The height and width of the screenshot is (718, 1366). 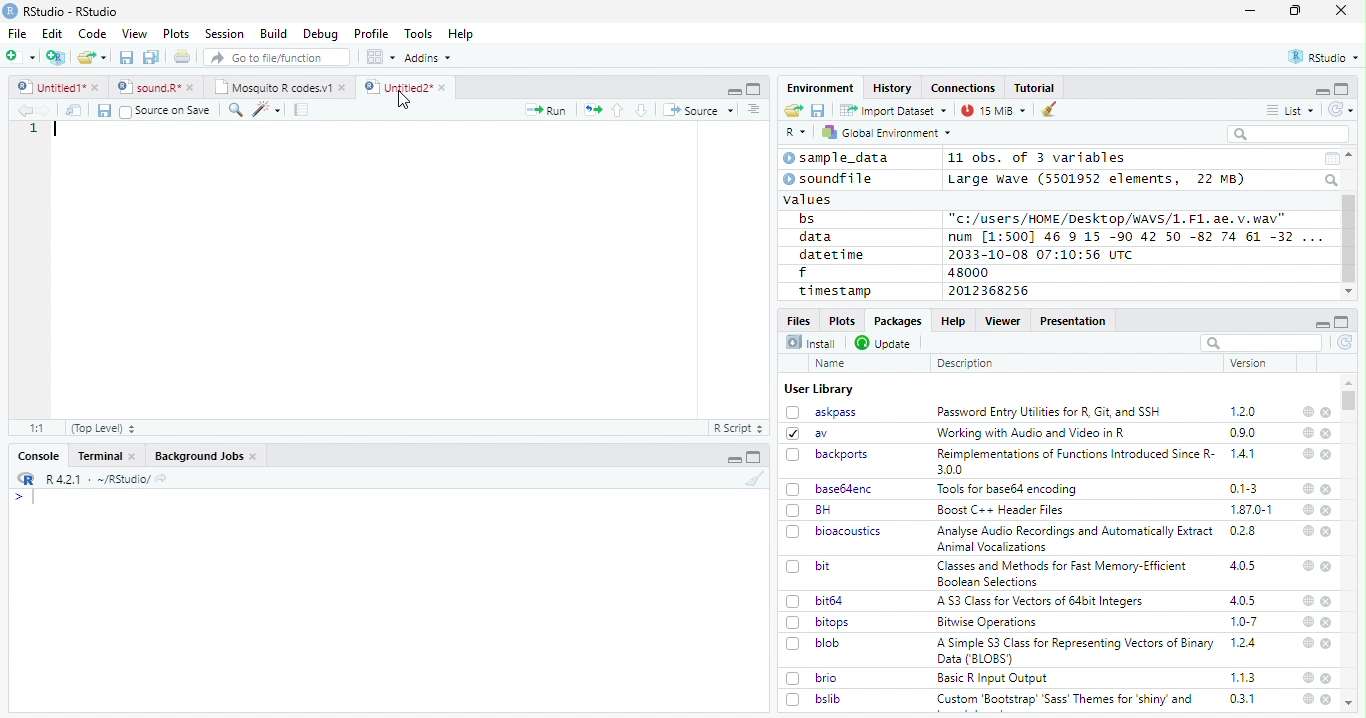 What do you see at coordinates (417, 34) in the screenshot?
I see `Tools` at bounding box center [417, 34].